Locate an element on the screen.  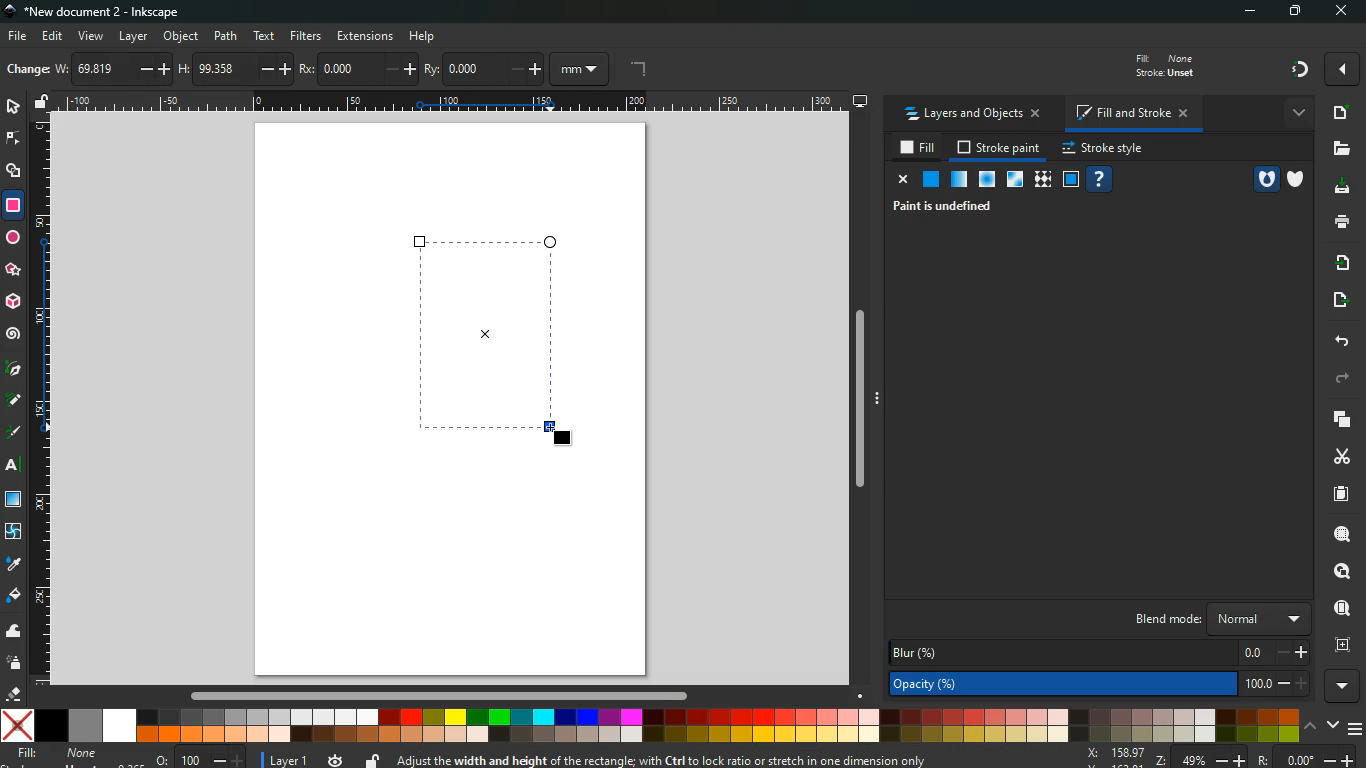
layer is located at coordinates (137, 36).